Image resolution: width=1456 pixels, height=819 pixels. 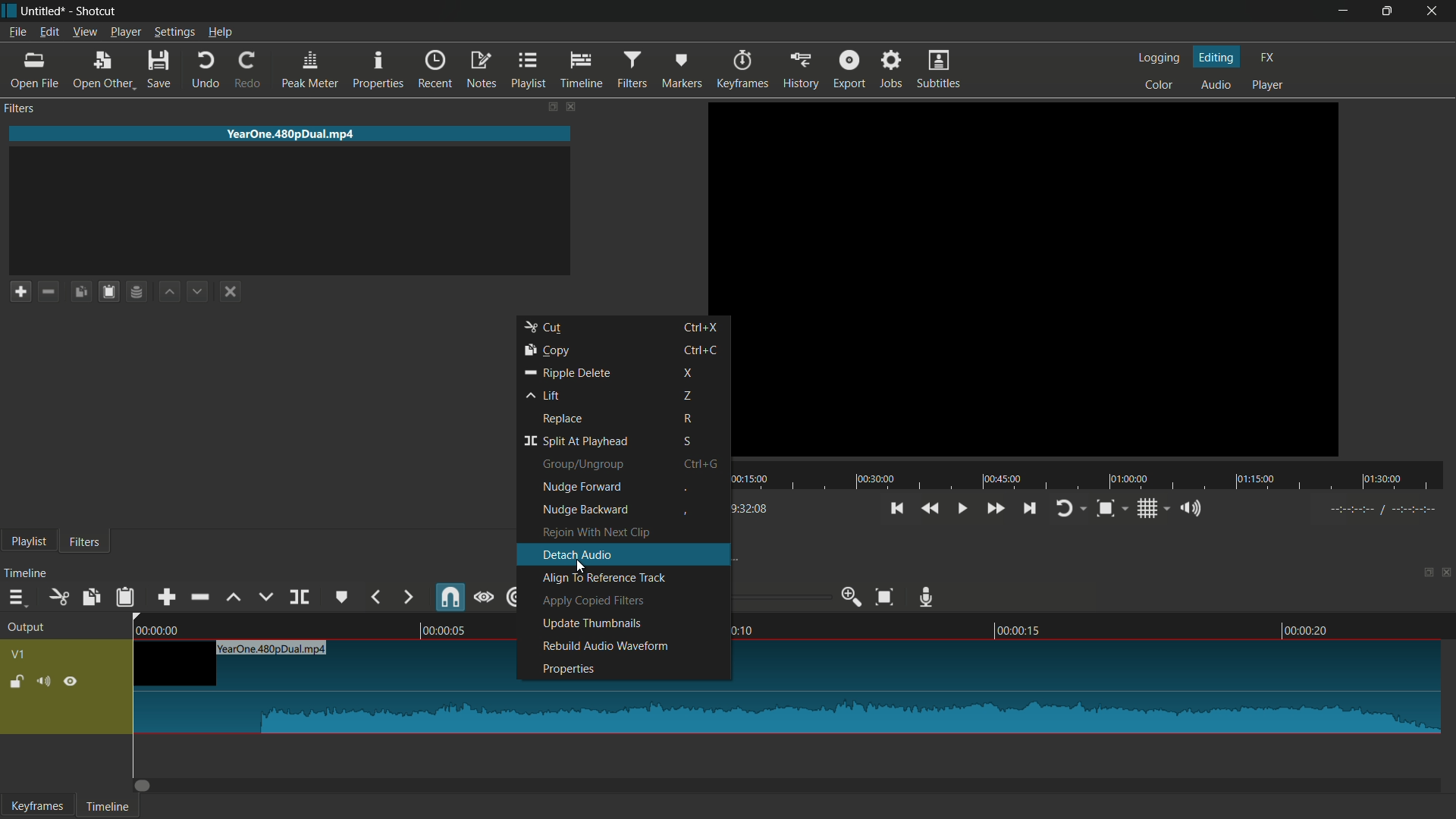 I want to click on zoom timeline to fit, so click(x=883, y=598).